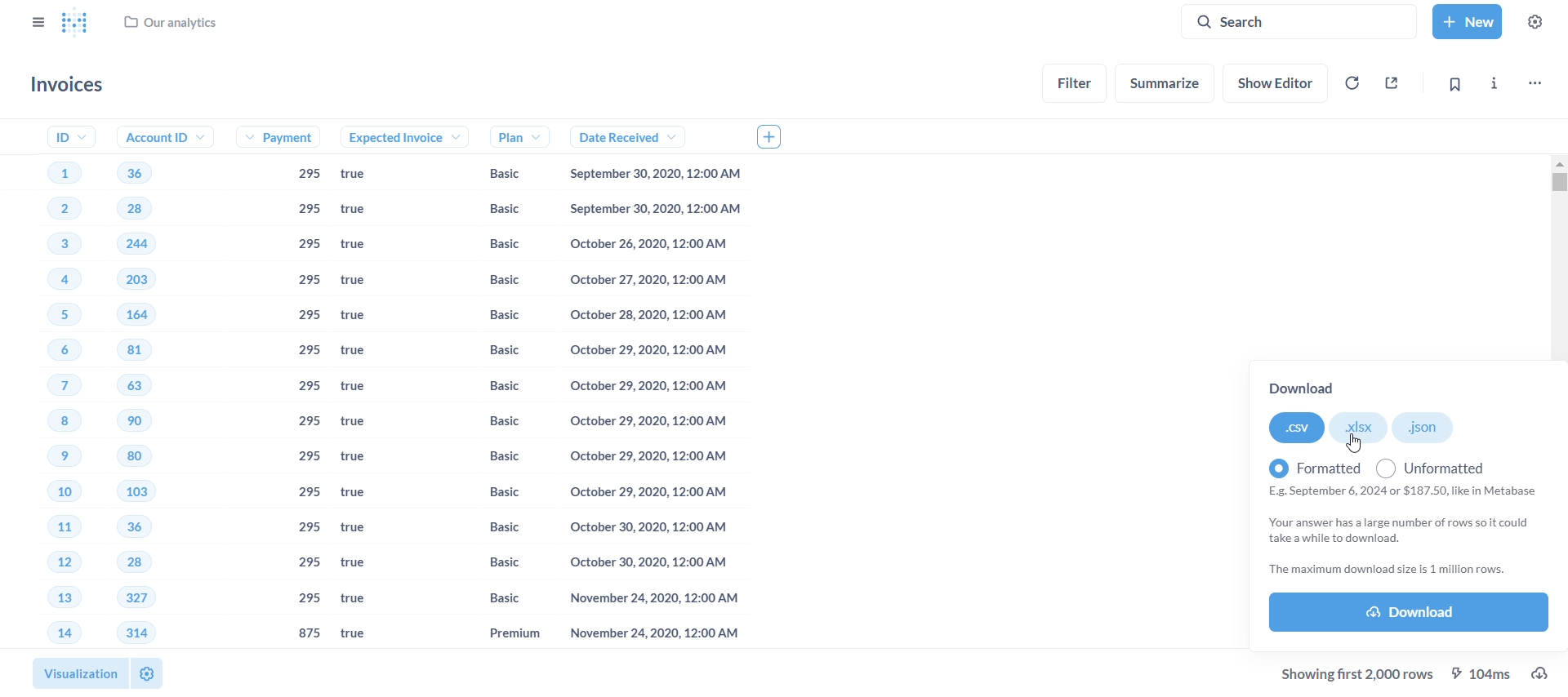  What do you see at coordinates (310, 388) in the screenshot?
I see `295` at bounding box center [310, 388].